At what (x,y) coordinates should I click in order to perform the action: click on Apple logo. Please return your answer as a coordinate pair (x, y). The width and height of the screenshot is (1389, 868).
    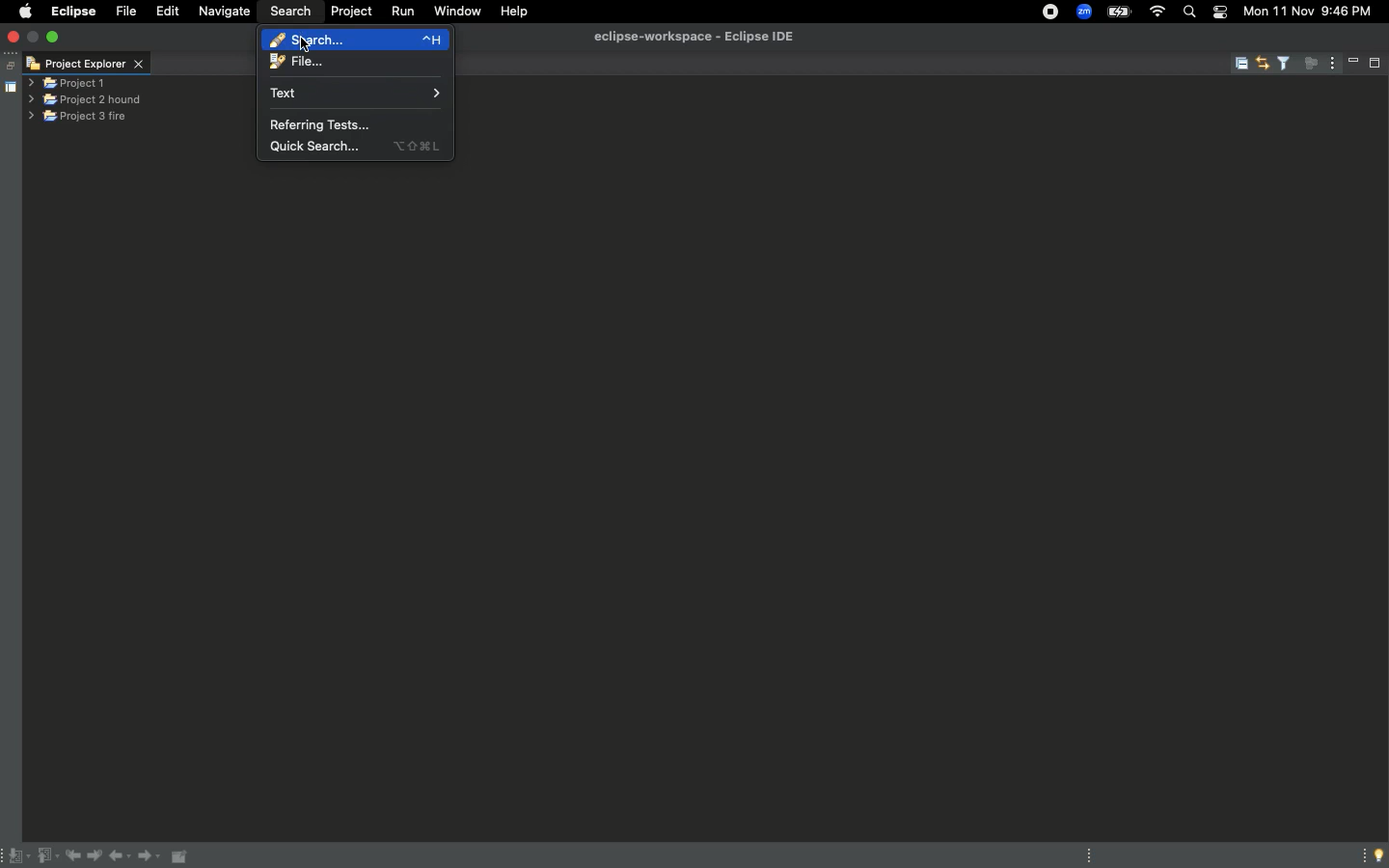
    Looking at the image, I should click on (26, 11).